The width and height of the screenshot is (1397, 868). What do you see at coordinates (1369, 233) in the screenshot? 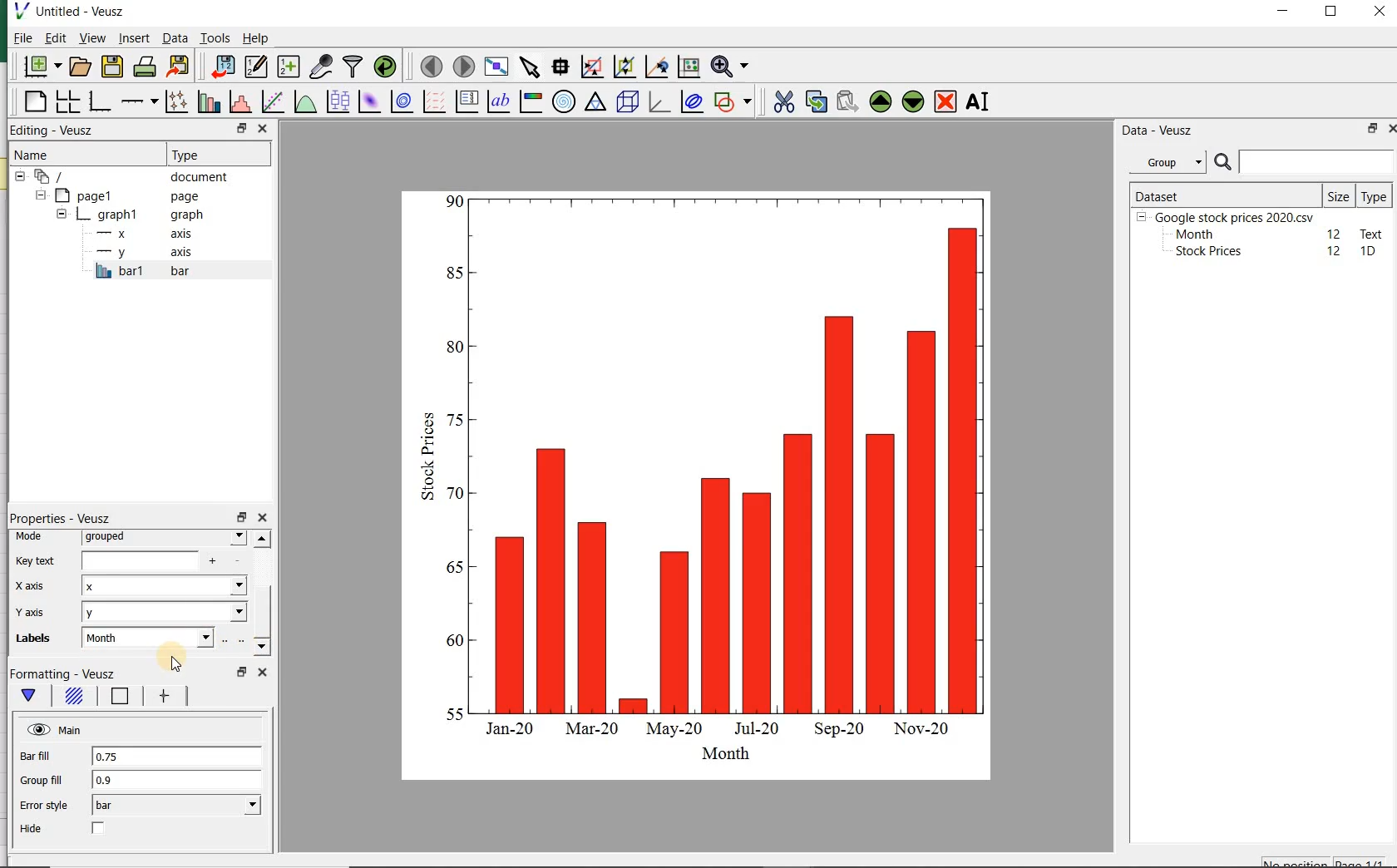
I see `text` at bounding box center [1369, 233].